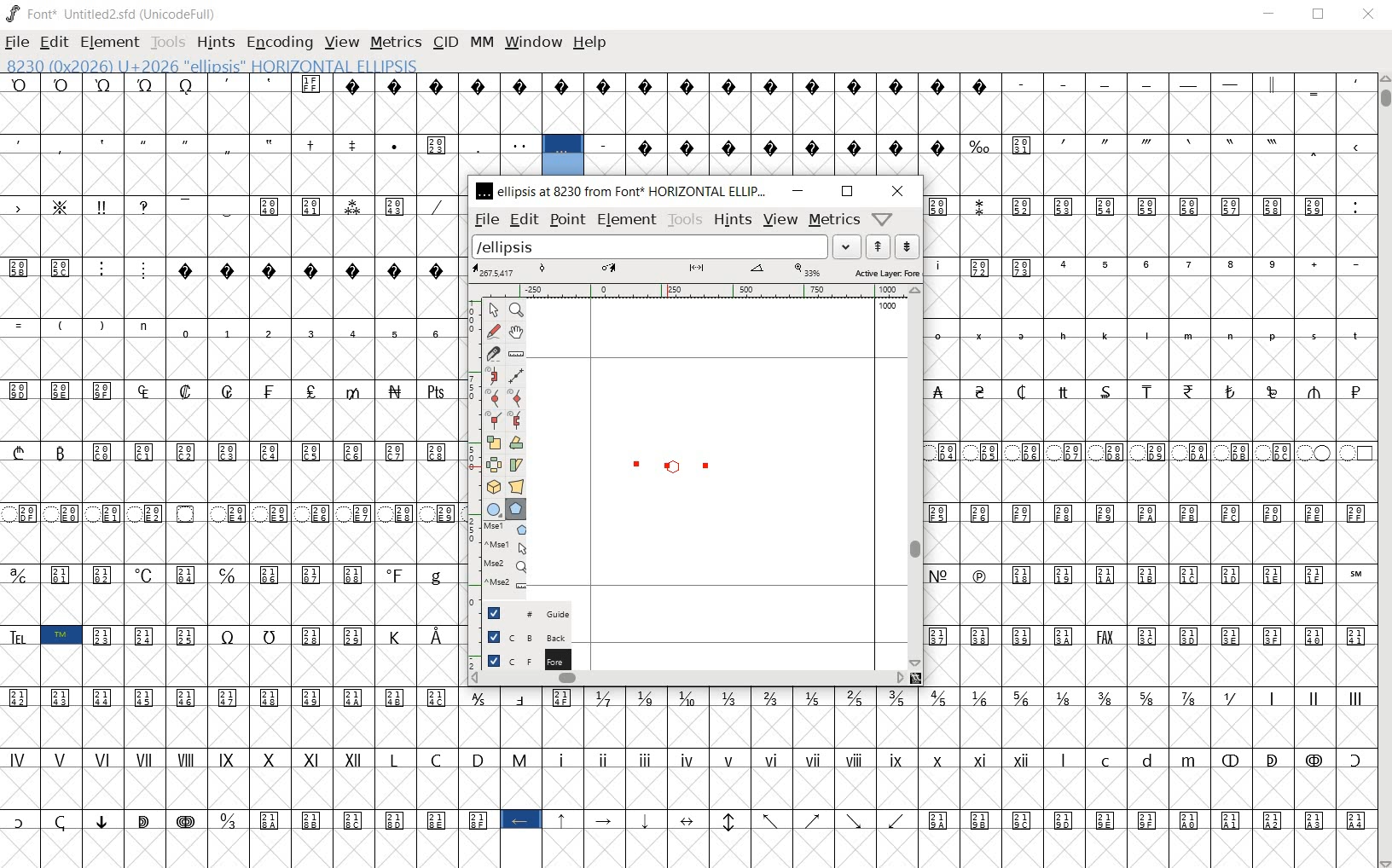 Image resolution: width=1392 pixels, height=868 pixels. What do you see at coordinates (495, 464) in the screenshot?
I see `flip the selection` at bounding box center [495, 464].